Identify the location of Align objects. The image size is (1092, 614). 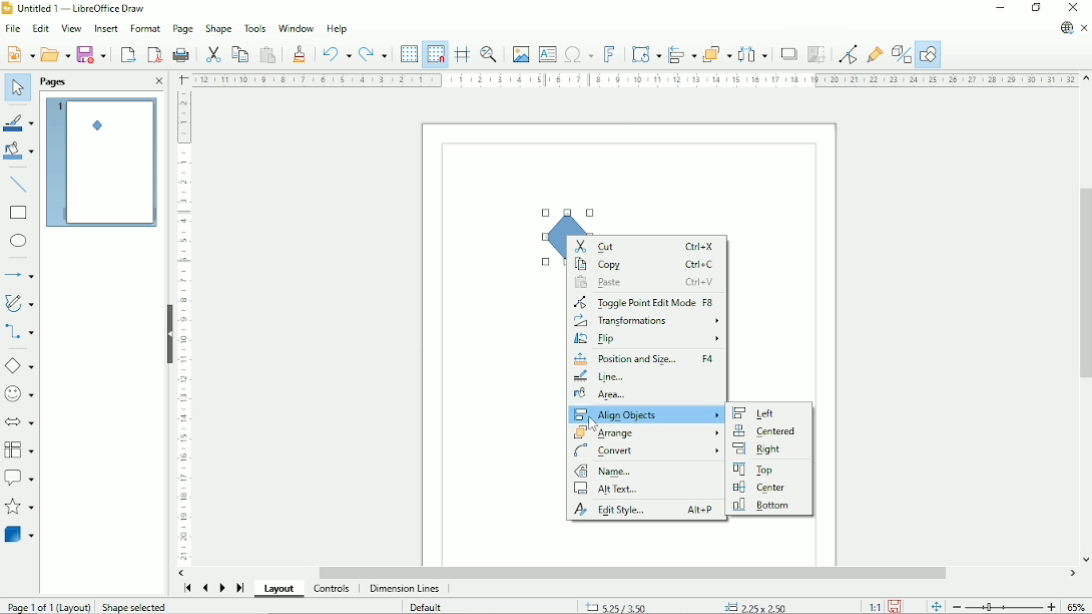
(682, 53).